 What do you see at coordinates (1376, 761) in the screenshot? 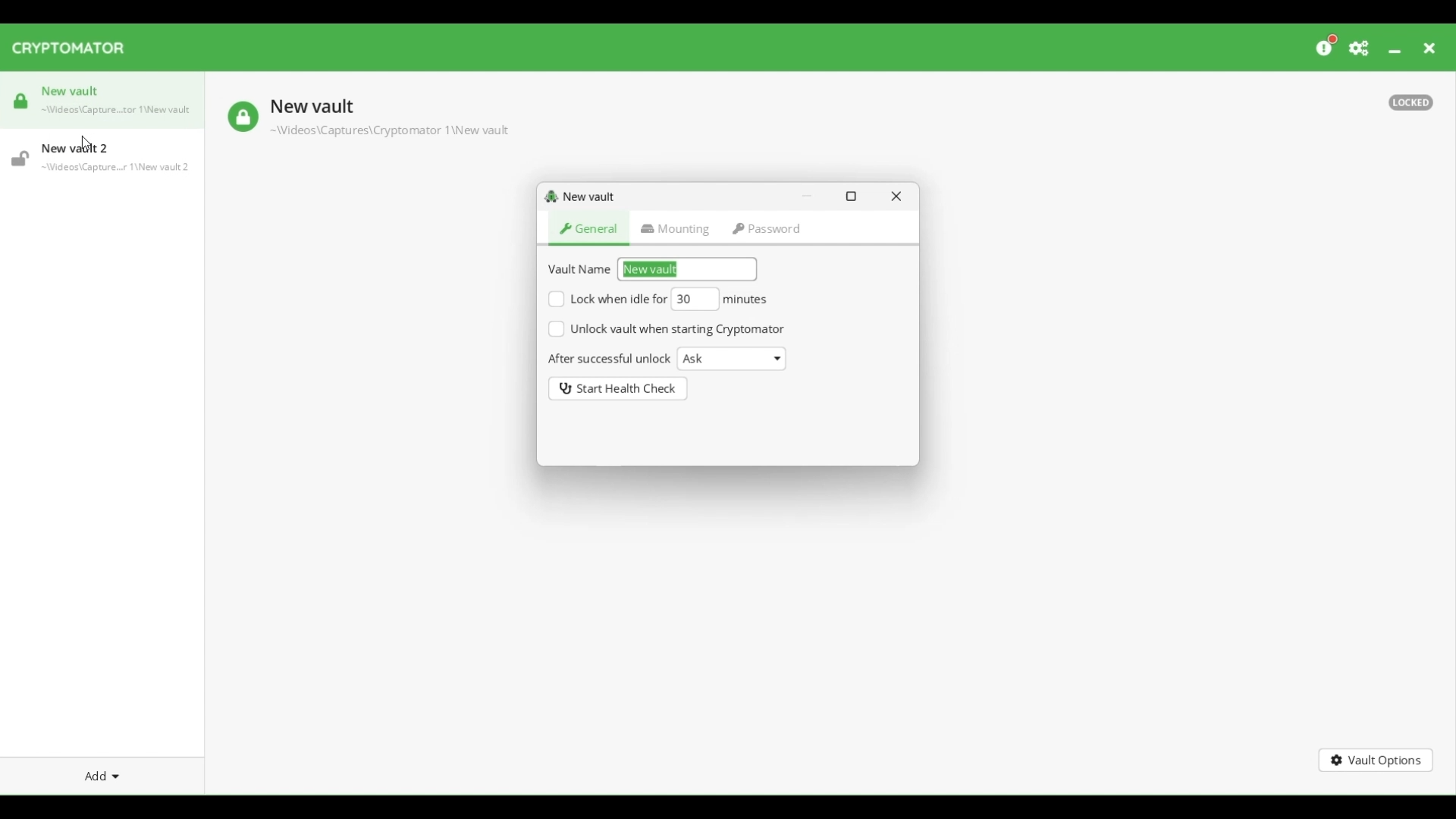
I see `Vault options` at bounding box center [1376, 761].